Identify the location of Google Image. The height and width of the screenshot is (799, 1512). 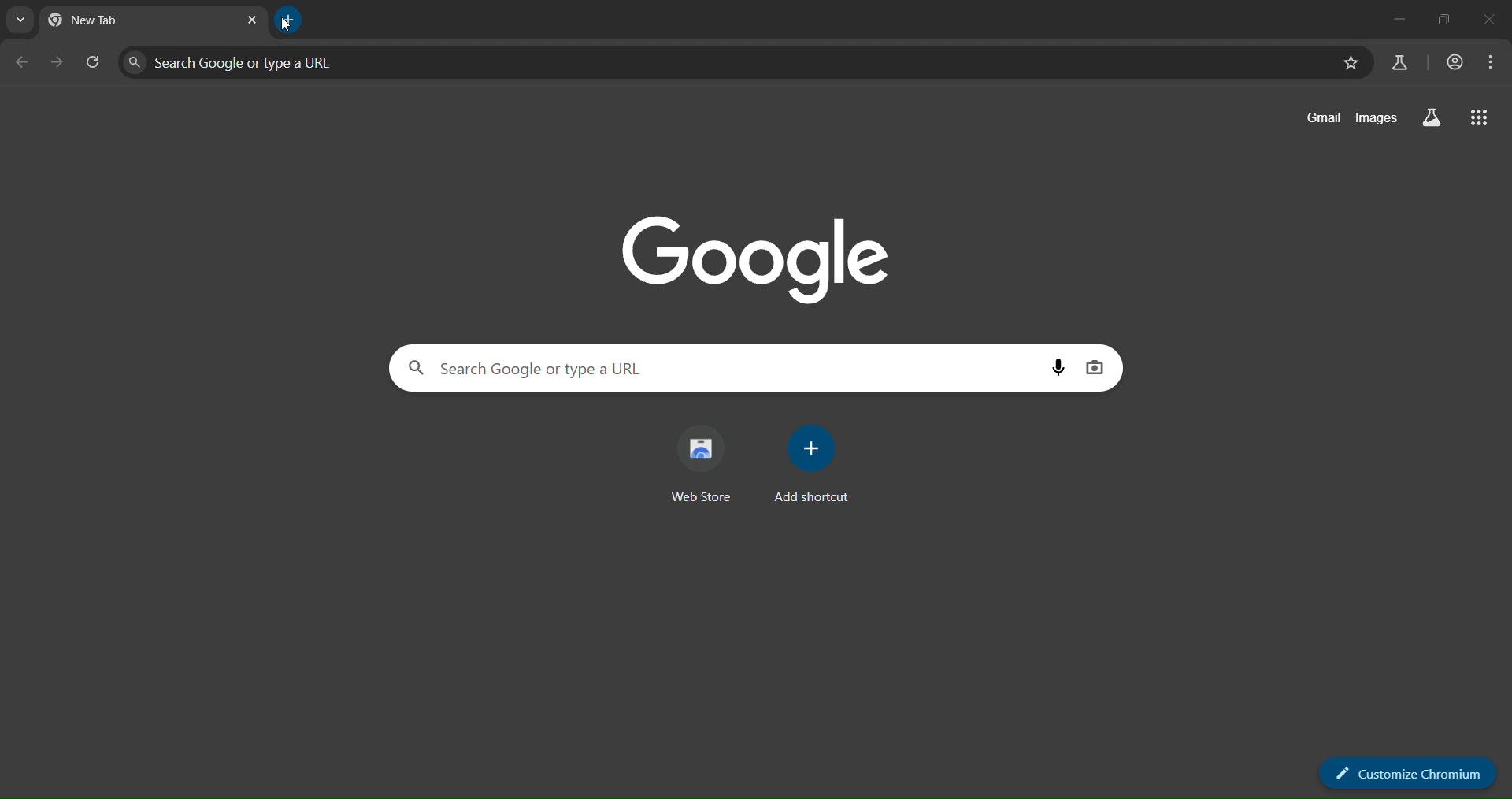
(758, 255).